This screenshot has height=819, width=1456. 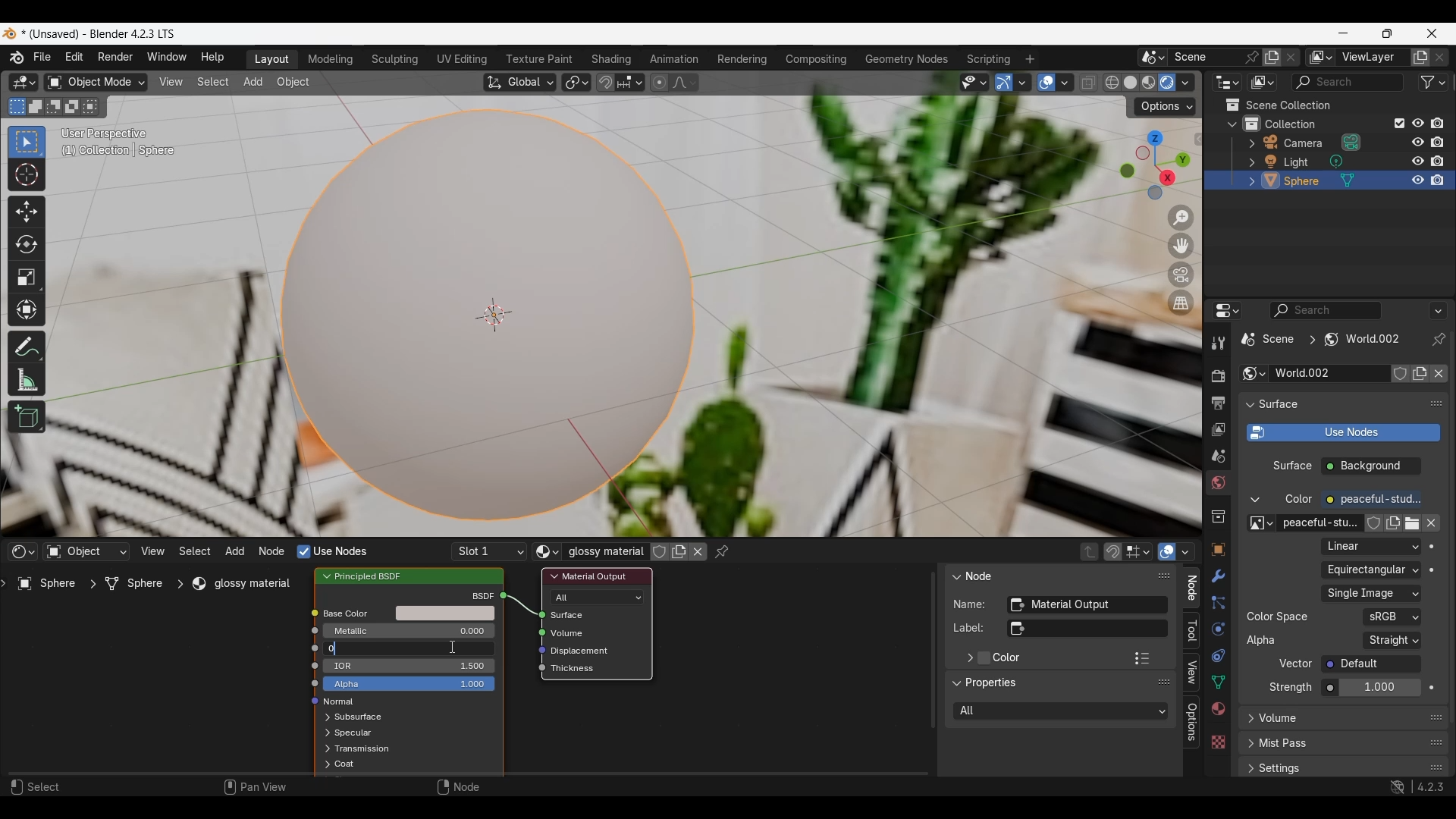 I want to click on Image file, so click(x=1371, y=594).